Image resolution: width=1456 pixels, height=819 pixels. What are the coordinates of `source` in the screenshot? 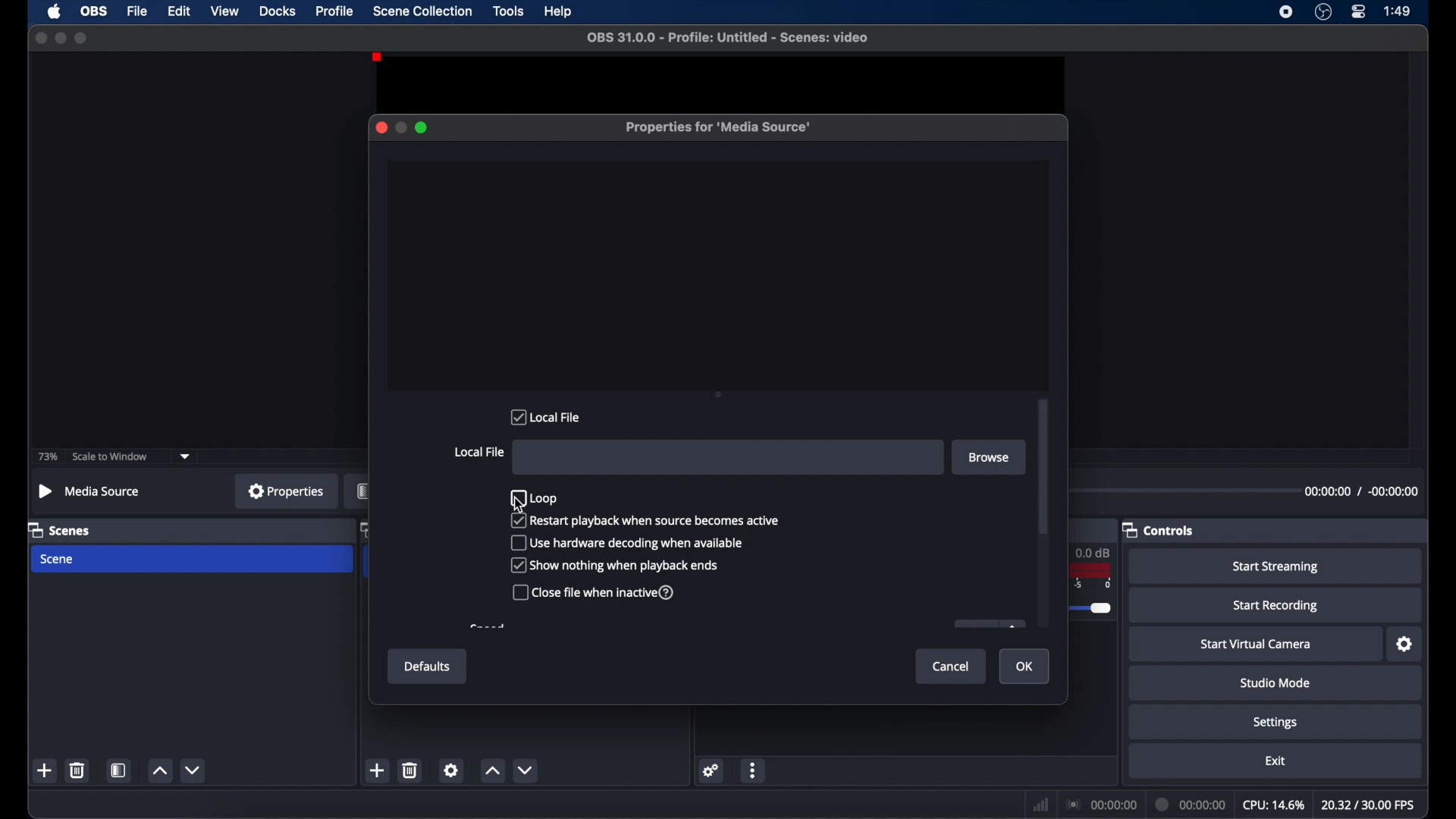 It's located at (356, 491).